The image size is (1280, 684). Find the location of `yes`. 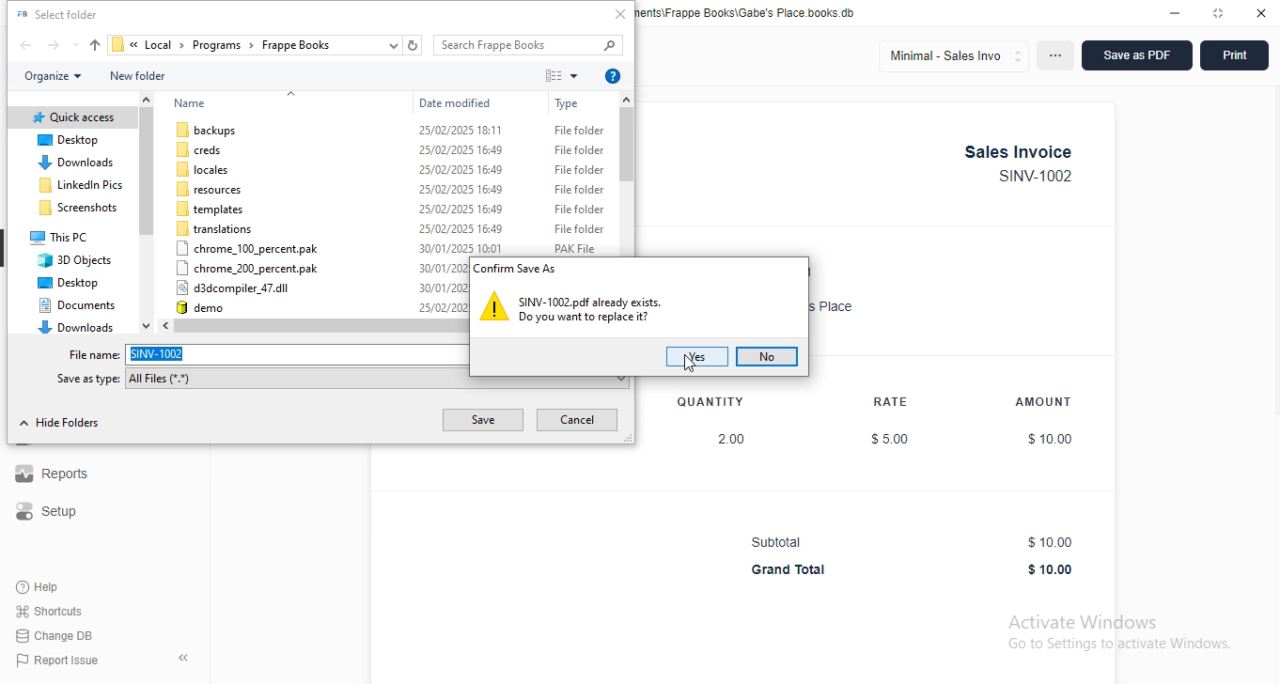

yes is located at coordinates (697, 356).